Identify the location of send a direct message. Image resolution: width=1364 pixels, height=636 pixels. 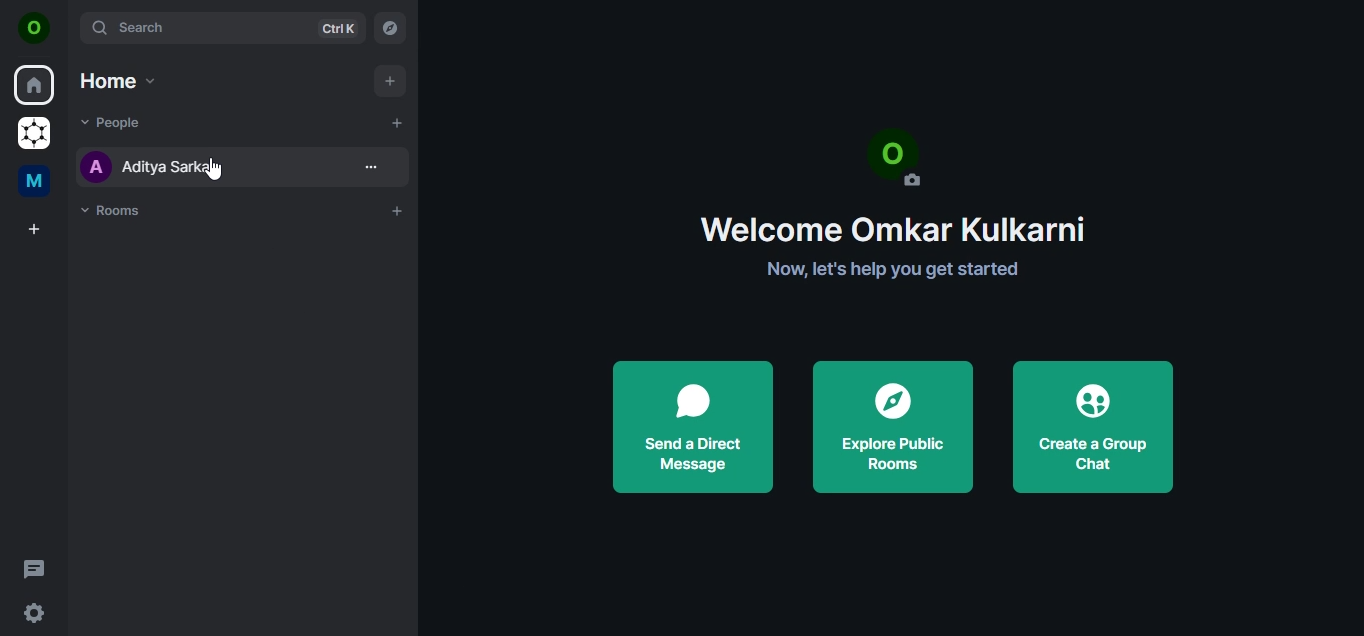
(692, 423).